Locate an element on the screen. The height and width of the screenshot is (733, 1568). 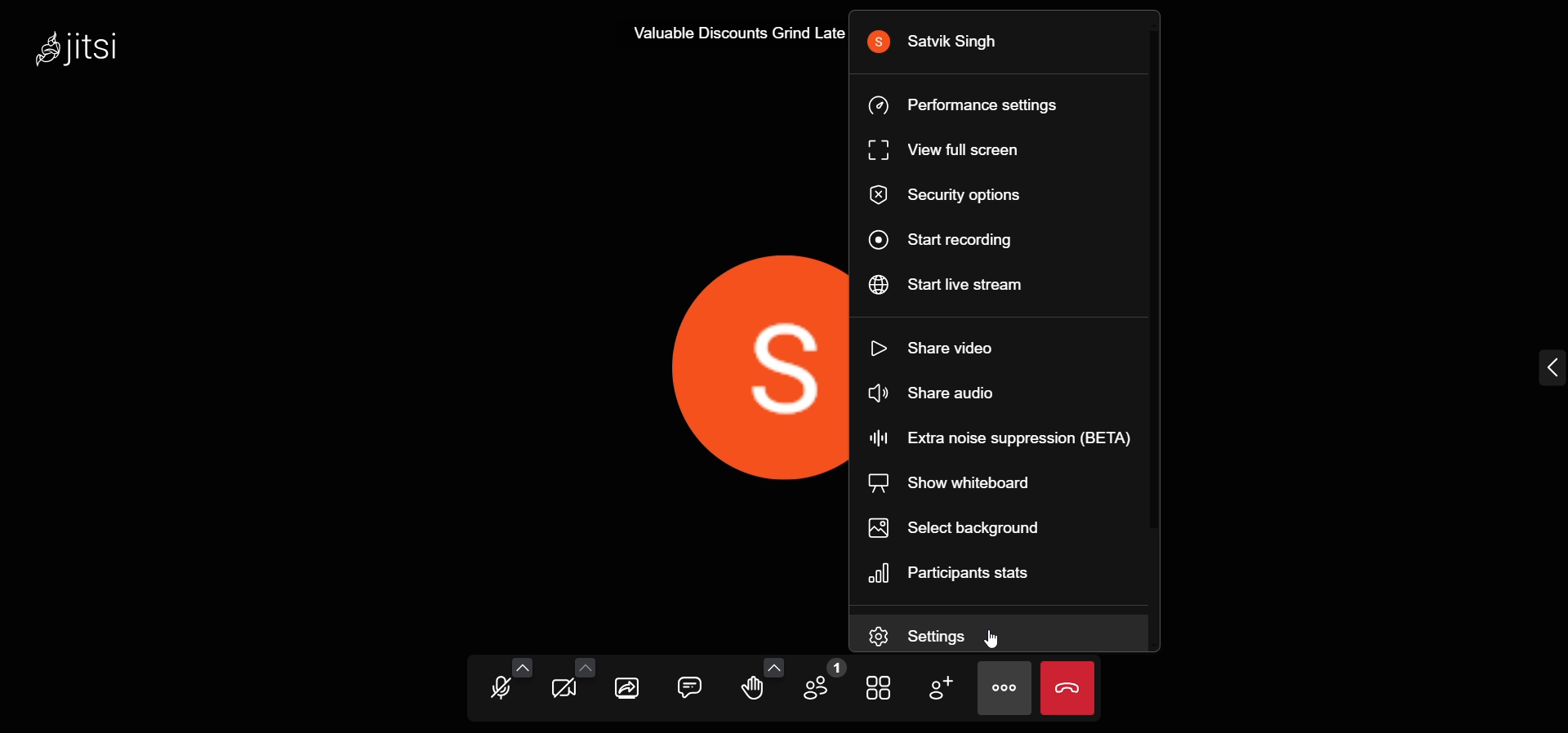
more video option is located at coordinates (587, 668).